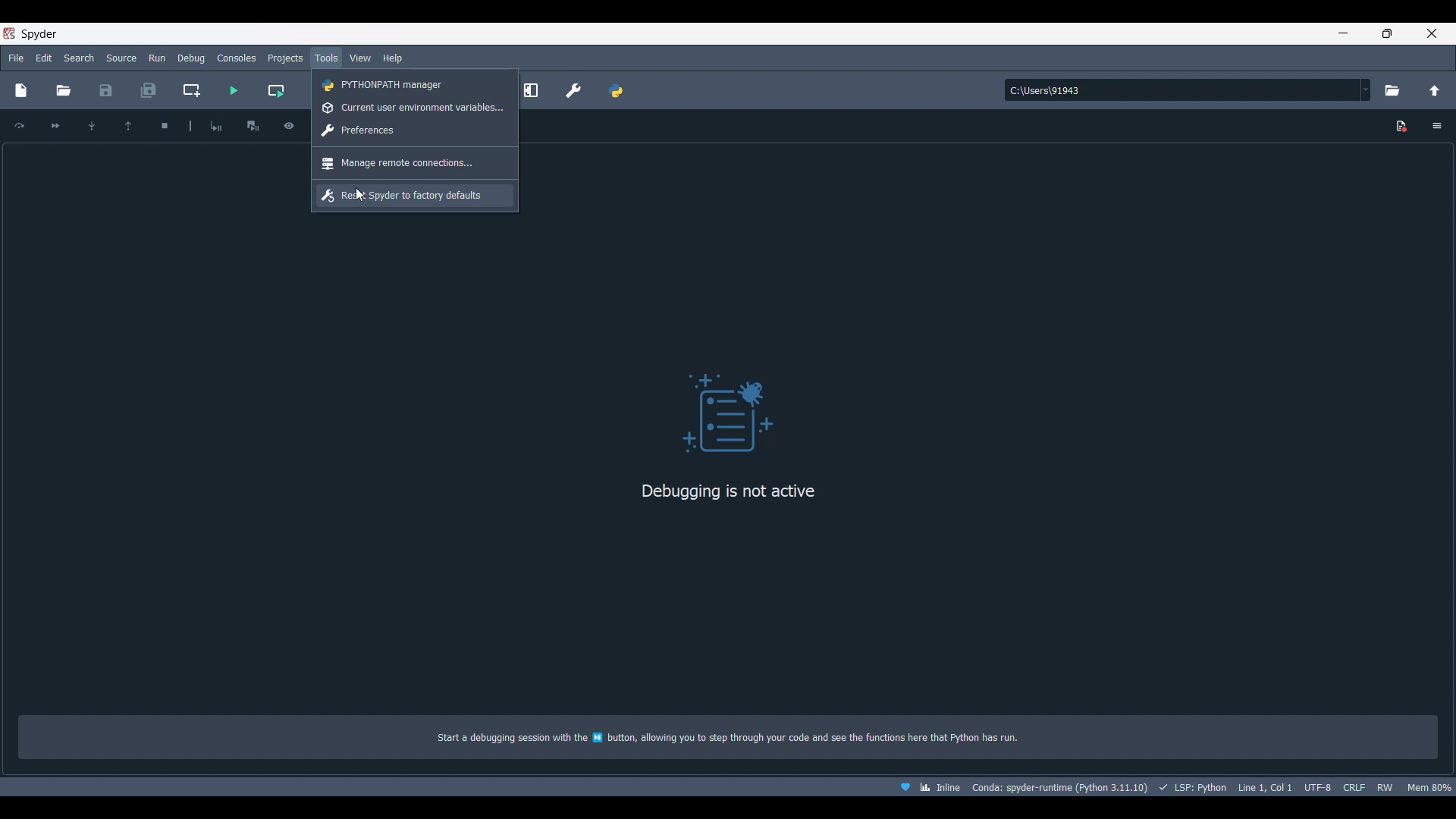 The height and width of the screenshot is (819, 1456). I want to click on Create new cell at current line, so click(190, 90).